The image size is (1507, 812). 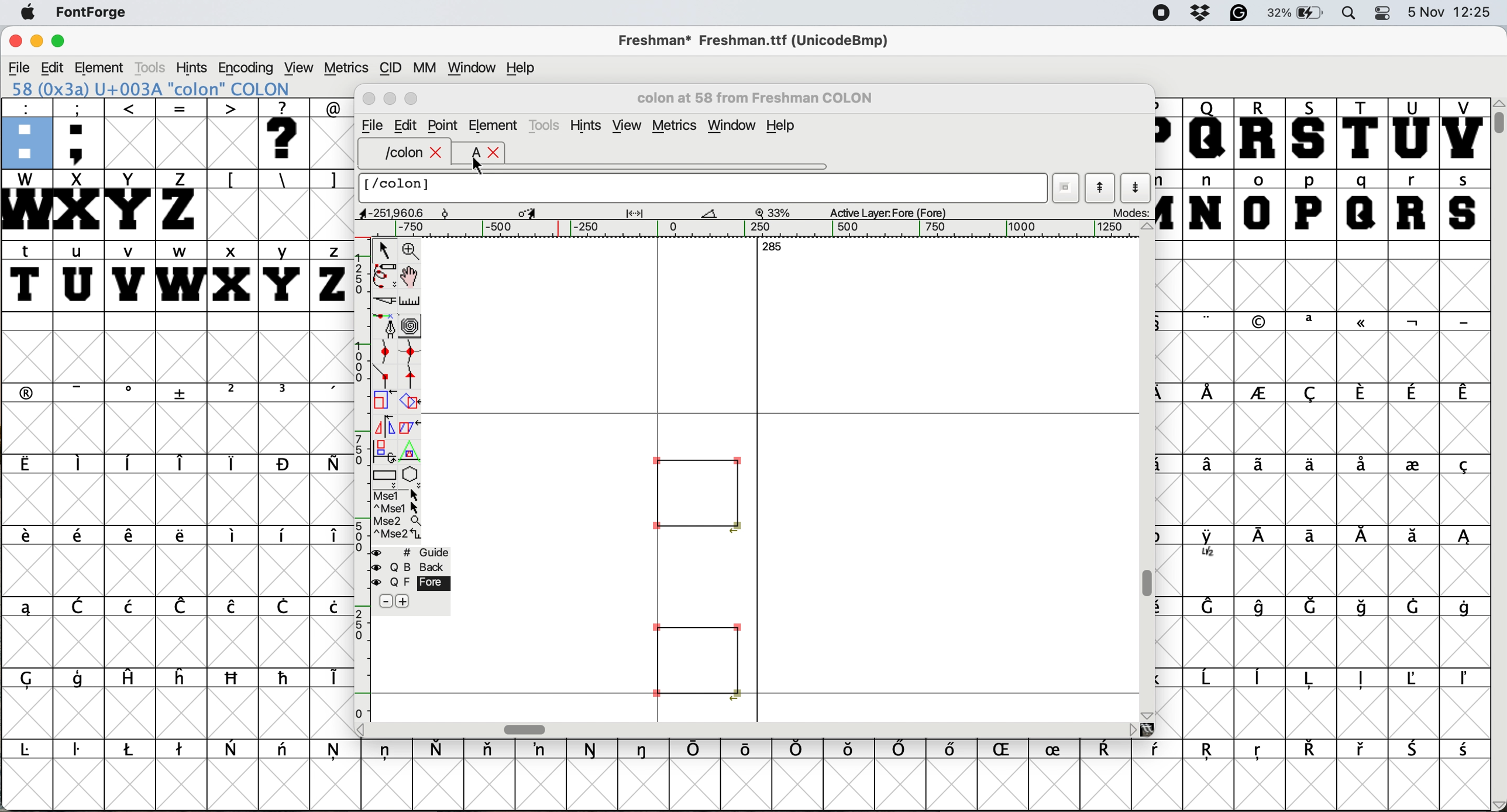 What do you see at coordinates (586, 125) in the screenshot?
I see `hints` at bounding box center [586, 125].